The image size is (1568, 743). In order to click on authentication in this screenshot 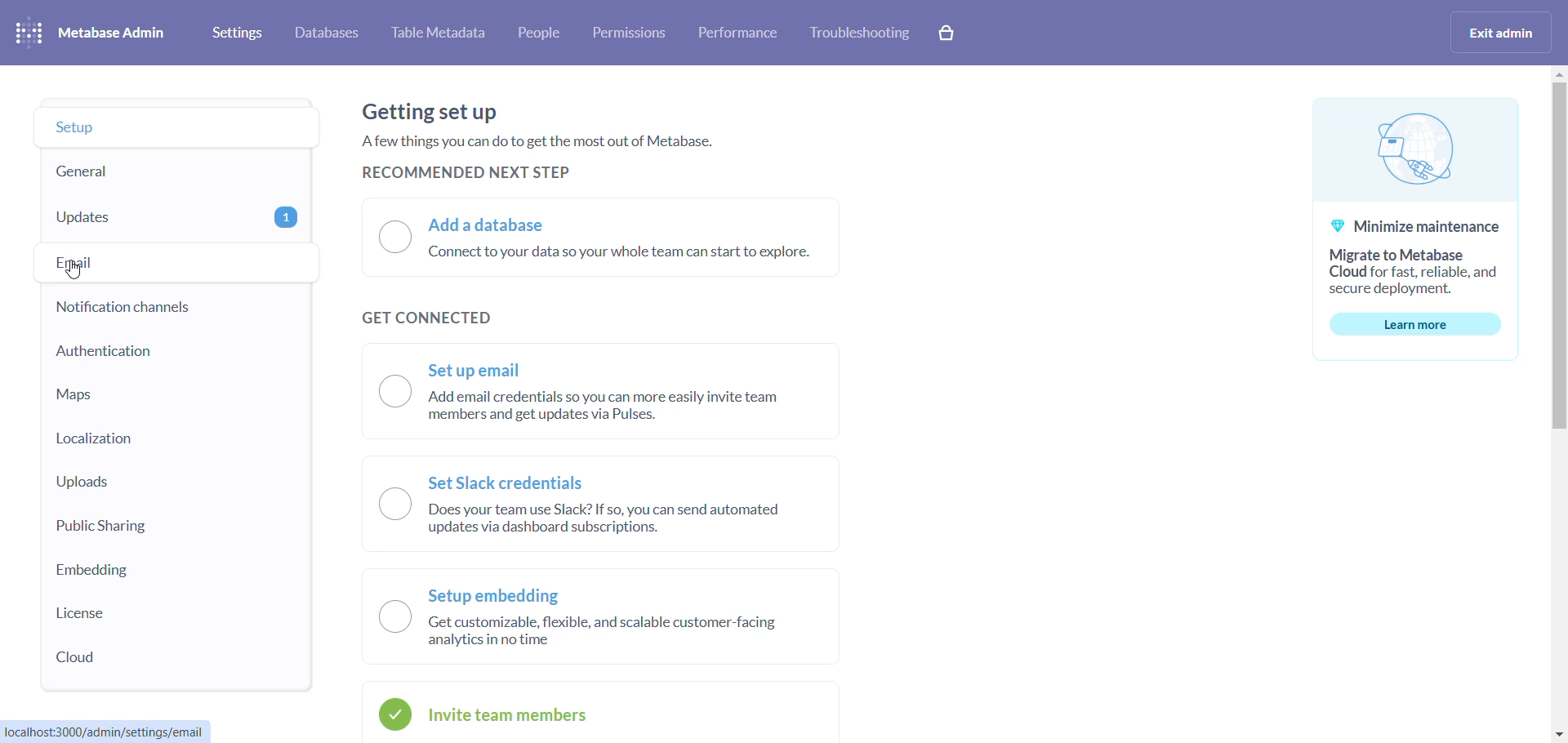, I will do `click(154, 353)`.